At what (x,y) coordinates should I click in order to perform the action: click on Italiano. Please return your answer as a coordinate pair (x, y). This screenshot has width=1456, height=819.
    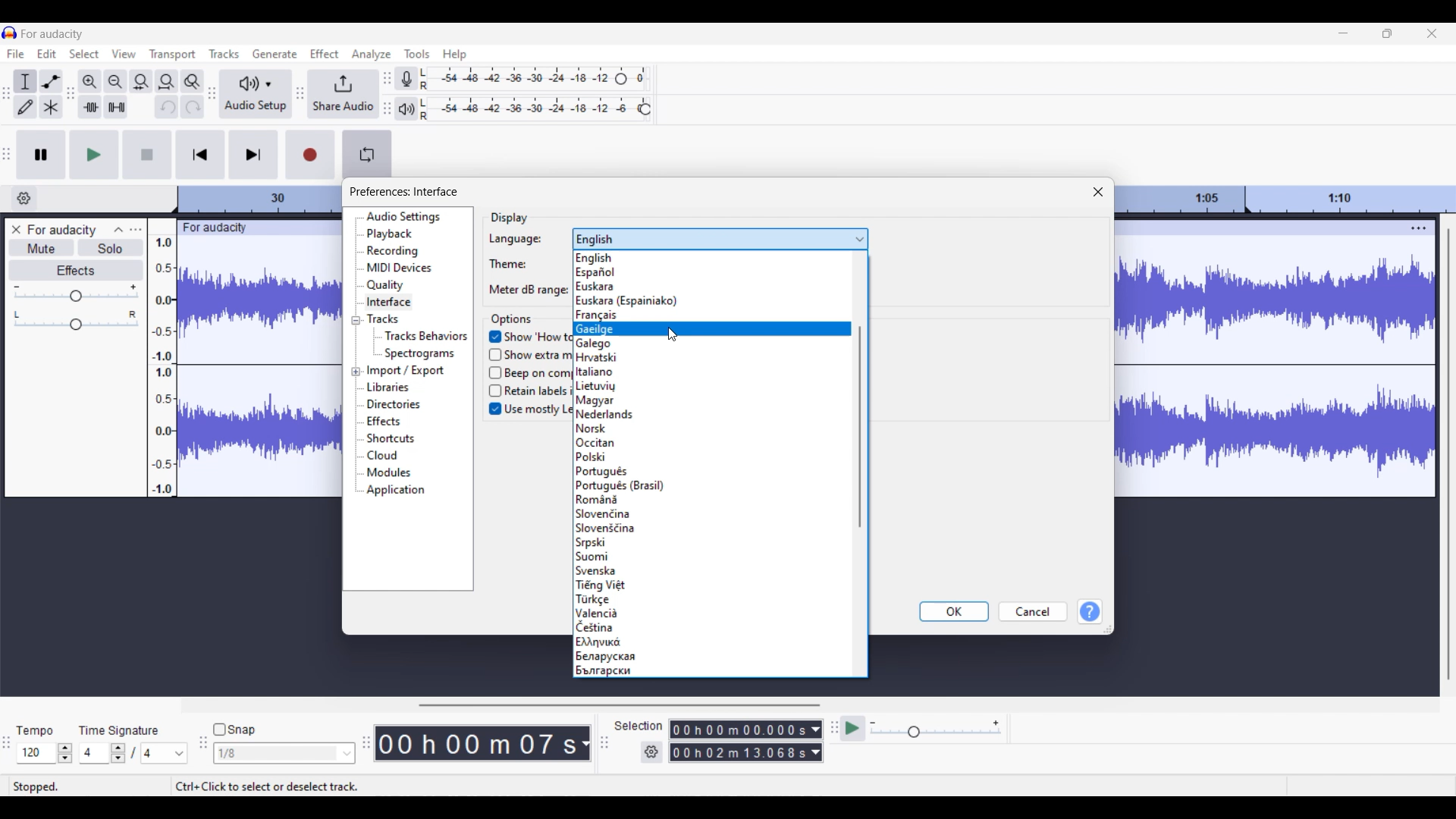
    Looking at the image, I should click on (595, 369).